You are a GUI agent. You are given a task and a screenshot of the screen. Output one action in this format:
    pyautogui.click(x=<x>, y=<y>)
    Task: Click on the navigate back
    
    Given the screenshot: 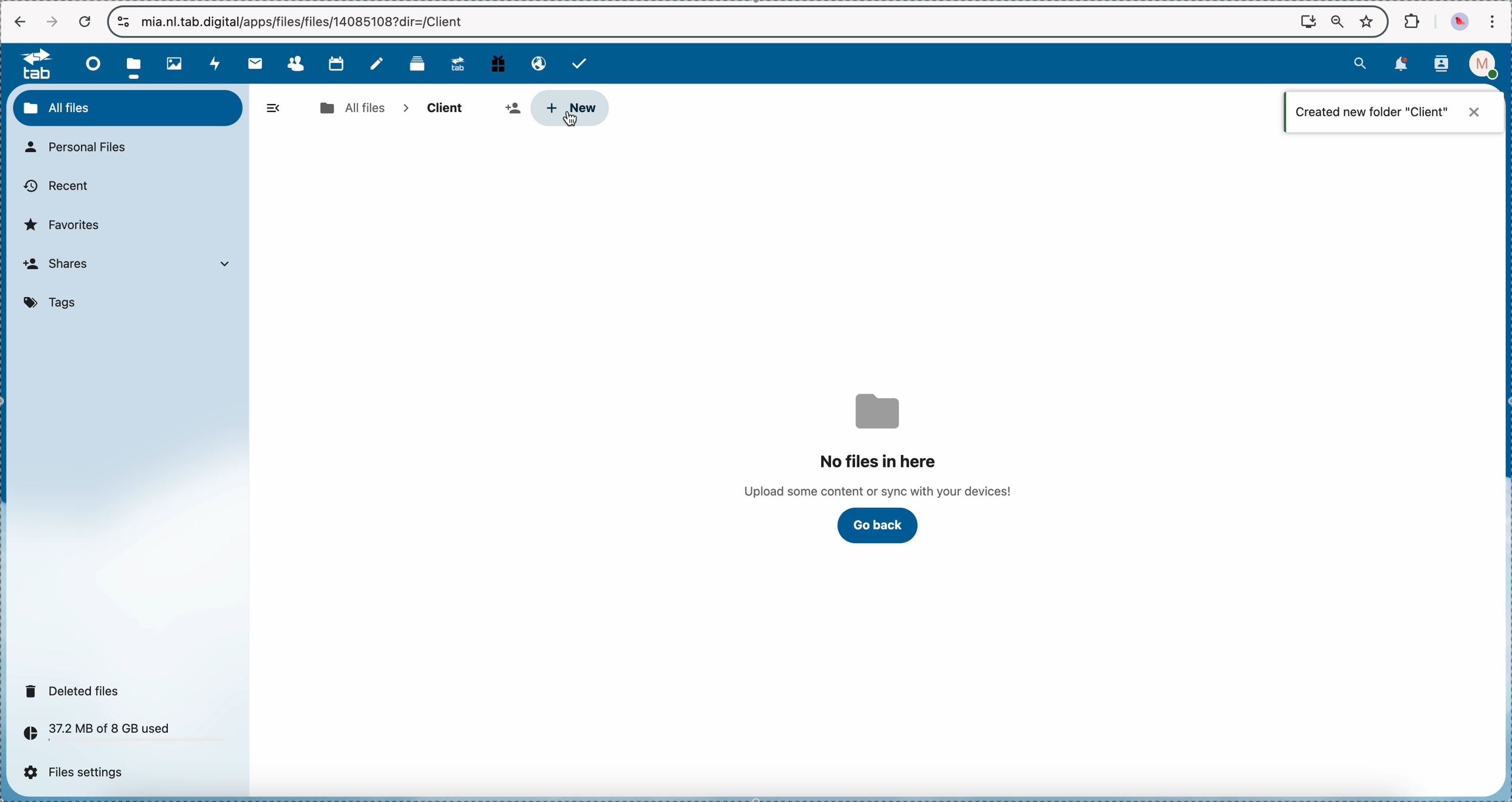 What is the action you would take?
    pyautogui.click(x=21, y=23)
    